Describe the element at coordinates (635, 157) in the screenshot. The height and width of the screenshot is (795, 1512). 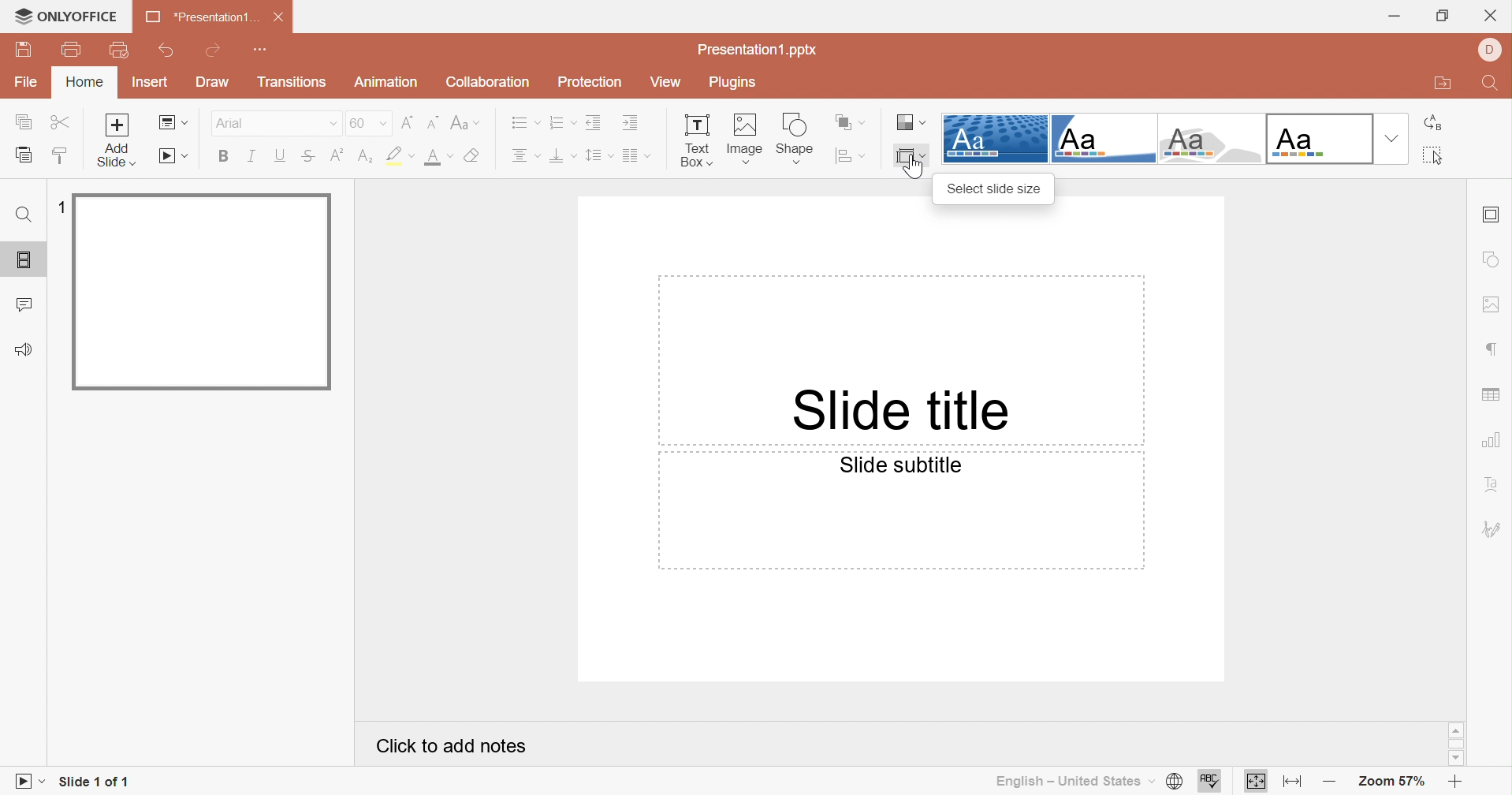
I see `Justified` at that location.